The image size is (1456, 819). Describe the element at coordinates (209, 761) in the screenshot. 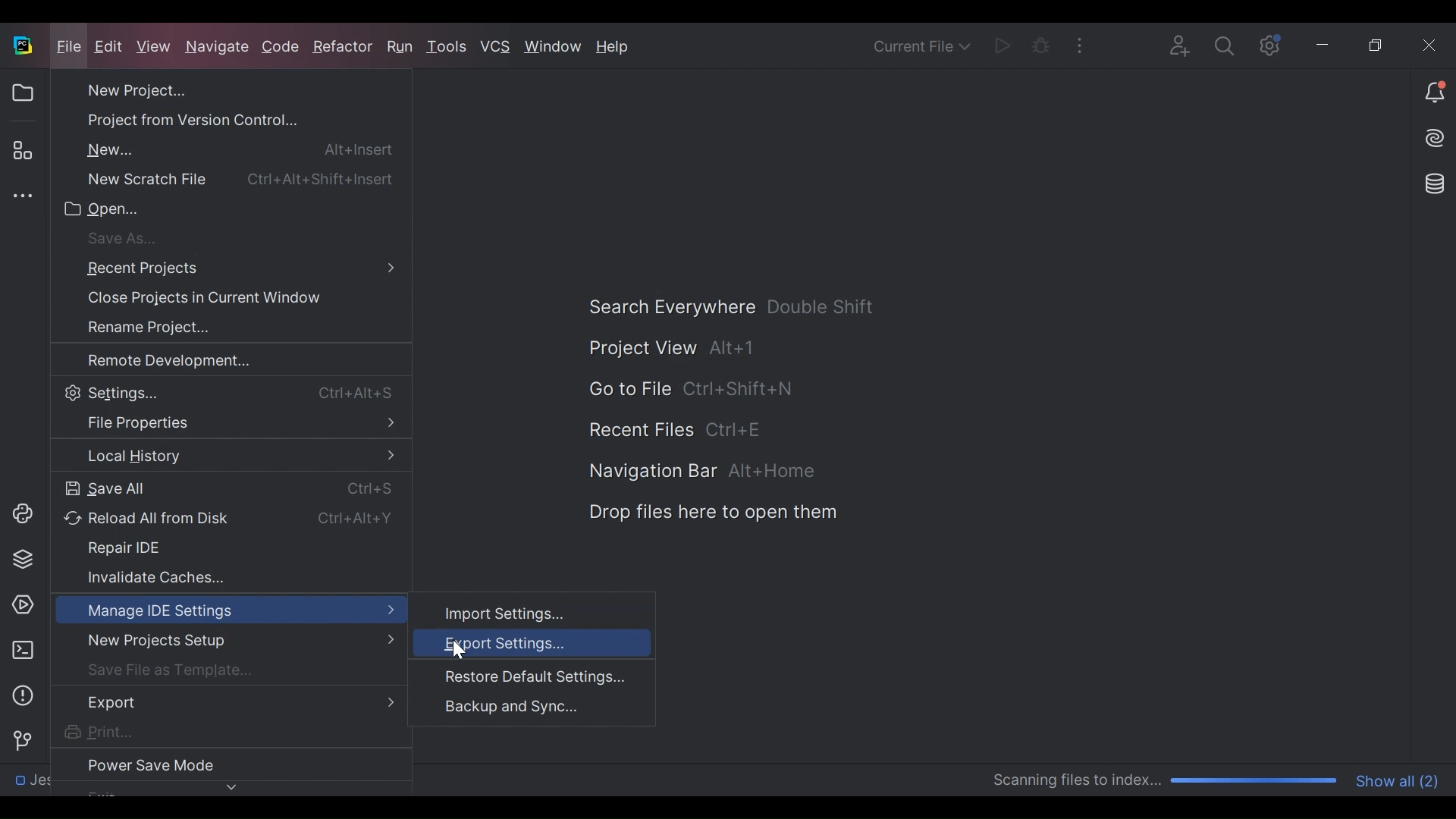

I see `Power Save Mode` at that location.